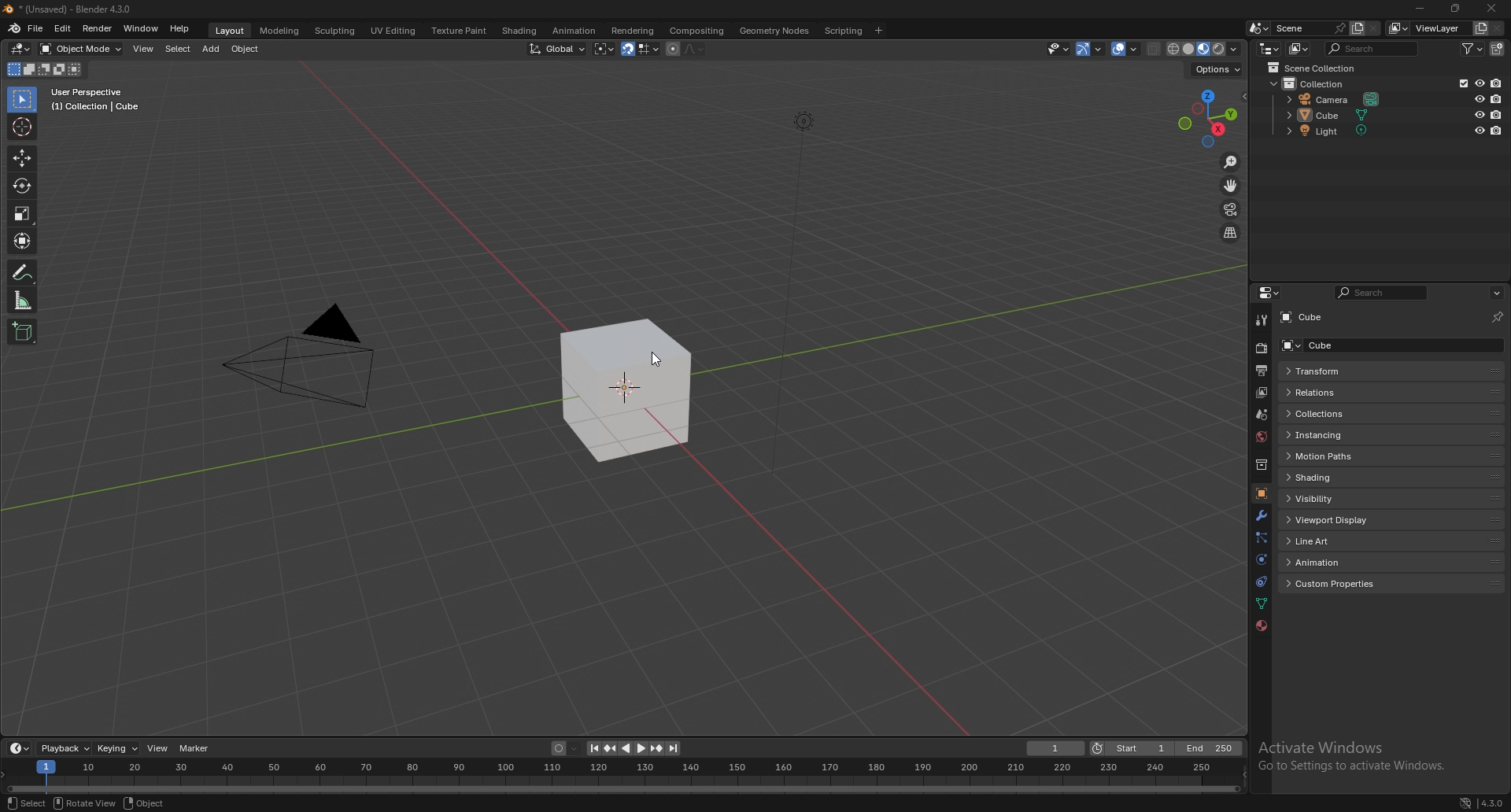  What do you see at coordinates (38, 28) in the screenshot?
I see `file` at bounding box center [38, 28].